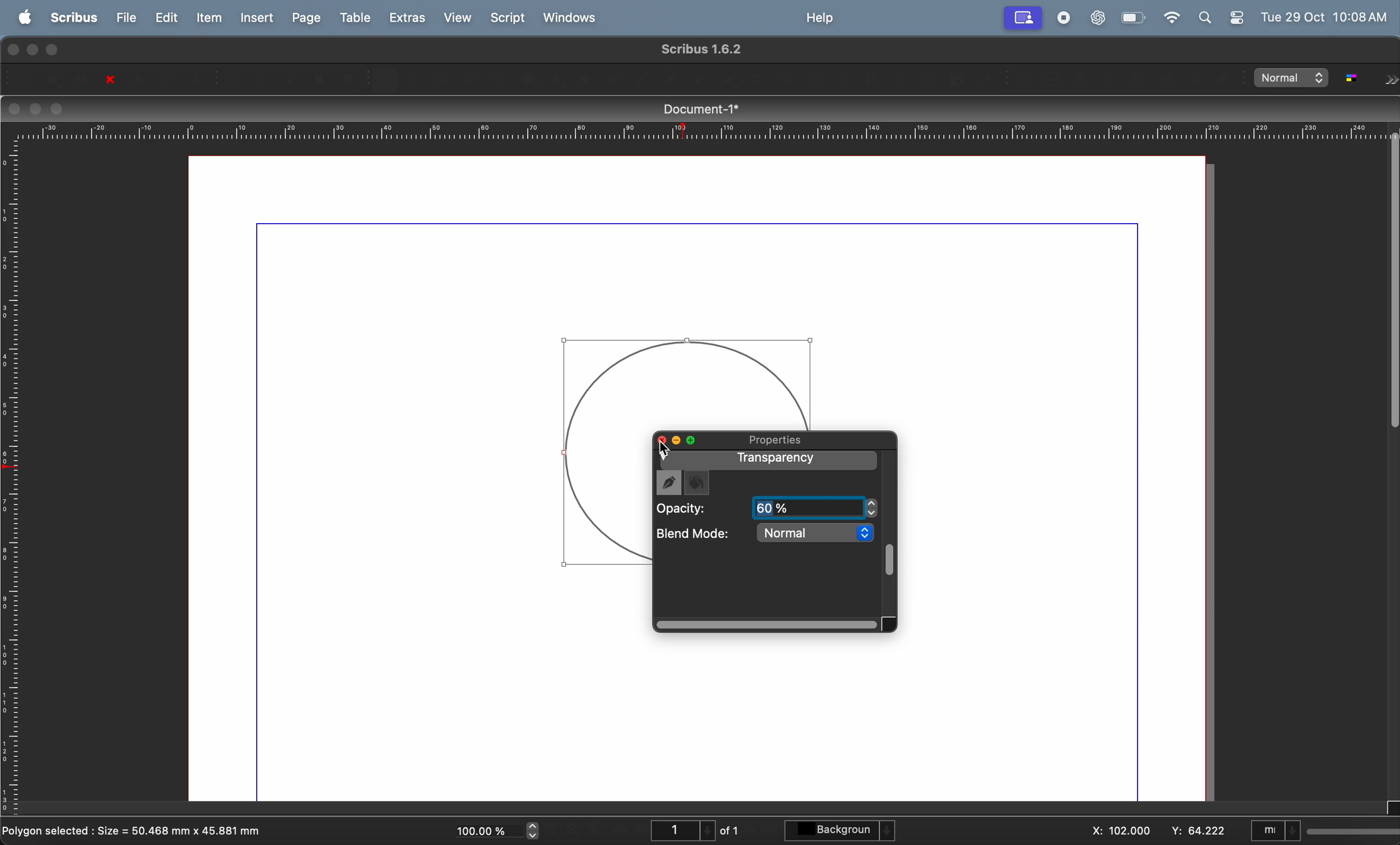  I want to click on Scrollbar, so click(768, 625).